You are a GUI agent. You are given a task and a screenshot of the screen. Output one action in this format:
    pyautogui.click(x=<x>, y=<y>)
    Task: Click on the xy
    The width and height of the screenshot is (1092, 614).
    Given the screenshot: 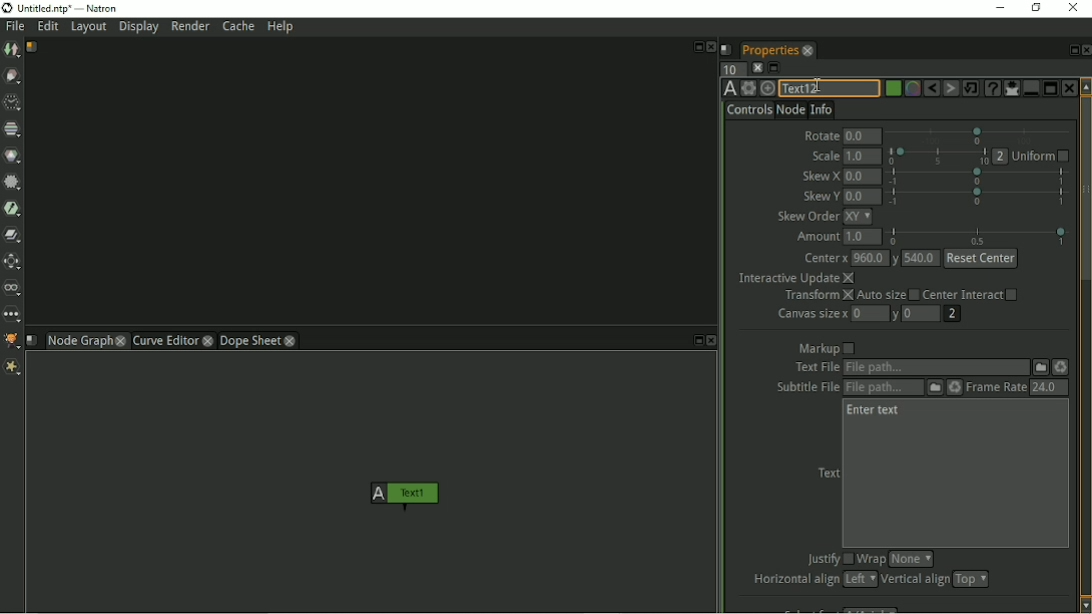 What is the action you would take?
    pyautogui.click(x=858, y=217)
    